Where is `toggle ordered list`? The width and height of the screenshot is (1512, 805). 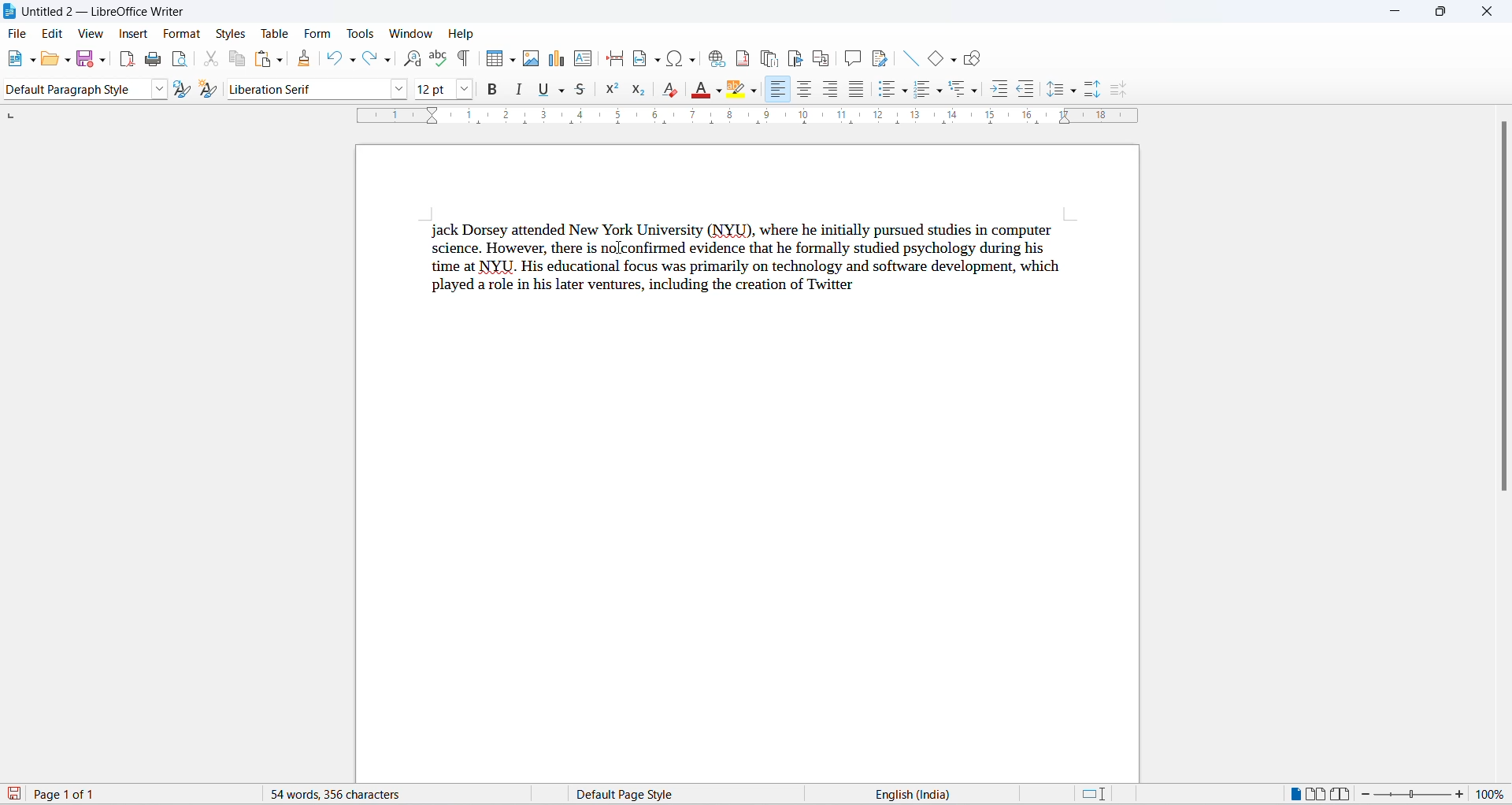 toggle ordered list is located at coordinates (923, 93).